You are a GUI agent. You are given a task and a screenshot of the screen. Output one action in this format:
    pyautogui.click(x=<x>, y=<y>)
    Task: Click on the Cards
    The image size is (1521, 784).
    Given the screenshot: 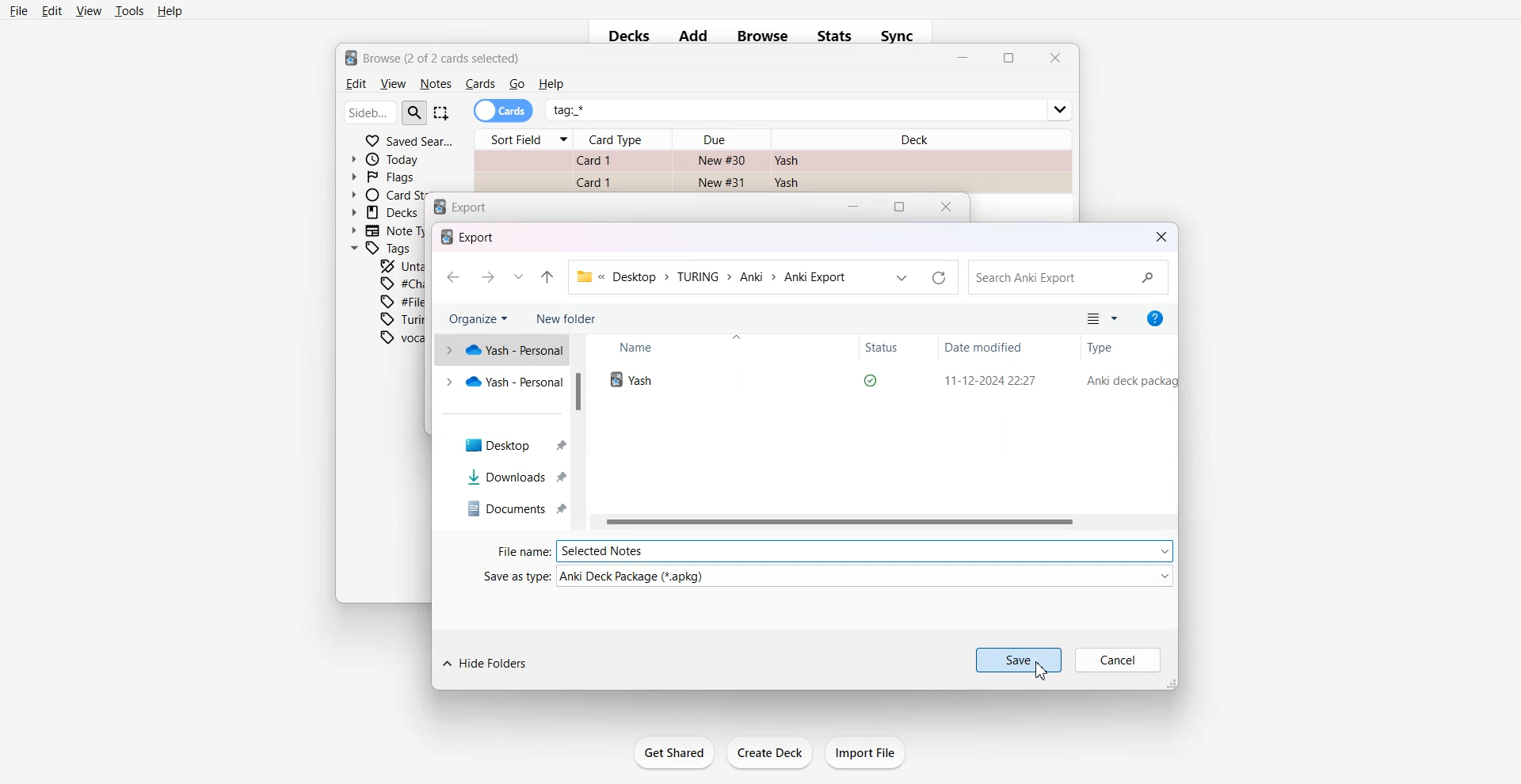 What is the action you would take?
    pyautogui.click(x=480, y=84)
    